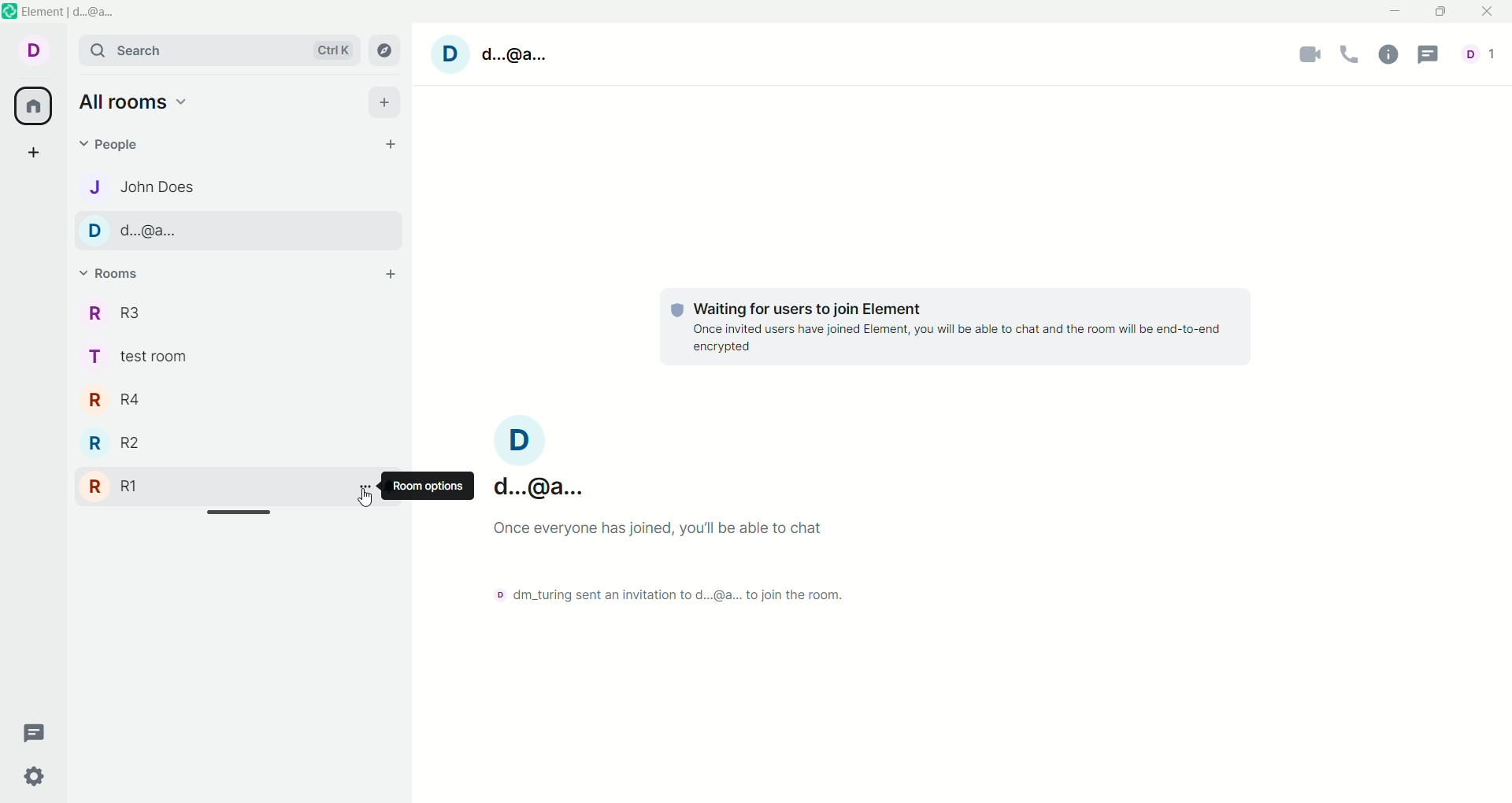 The image size is (1512, 803). I want to click on horizontal scroll bar, so click(245, 513).